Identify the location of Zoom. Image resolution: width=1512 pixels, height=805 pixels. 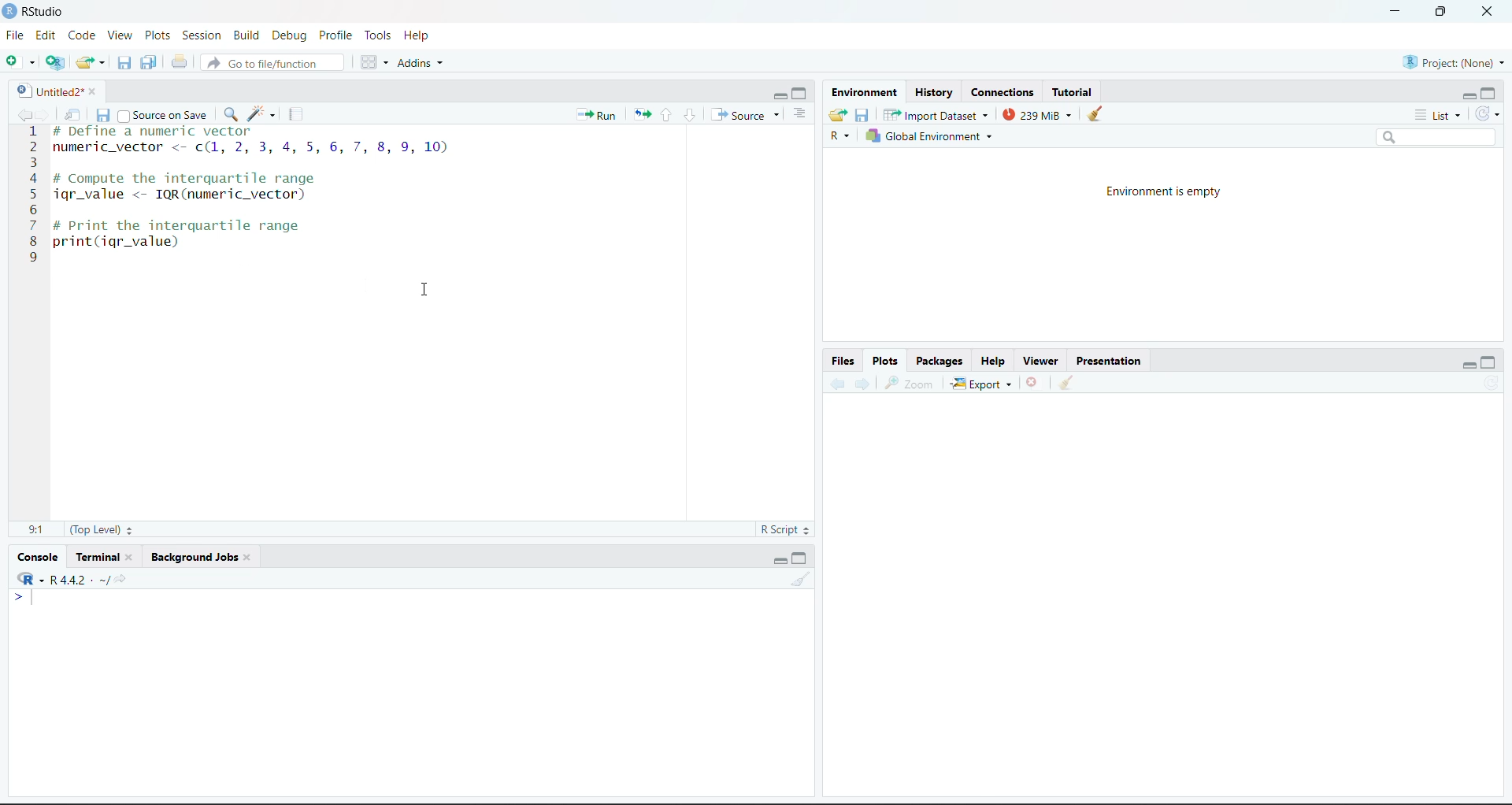
(914, 384).